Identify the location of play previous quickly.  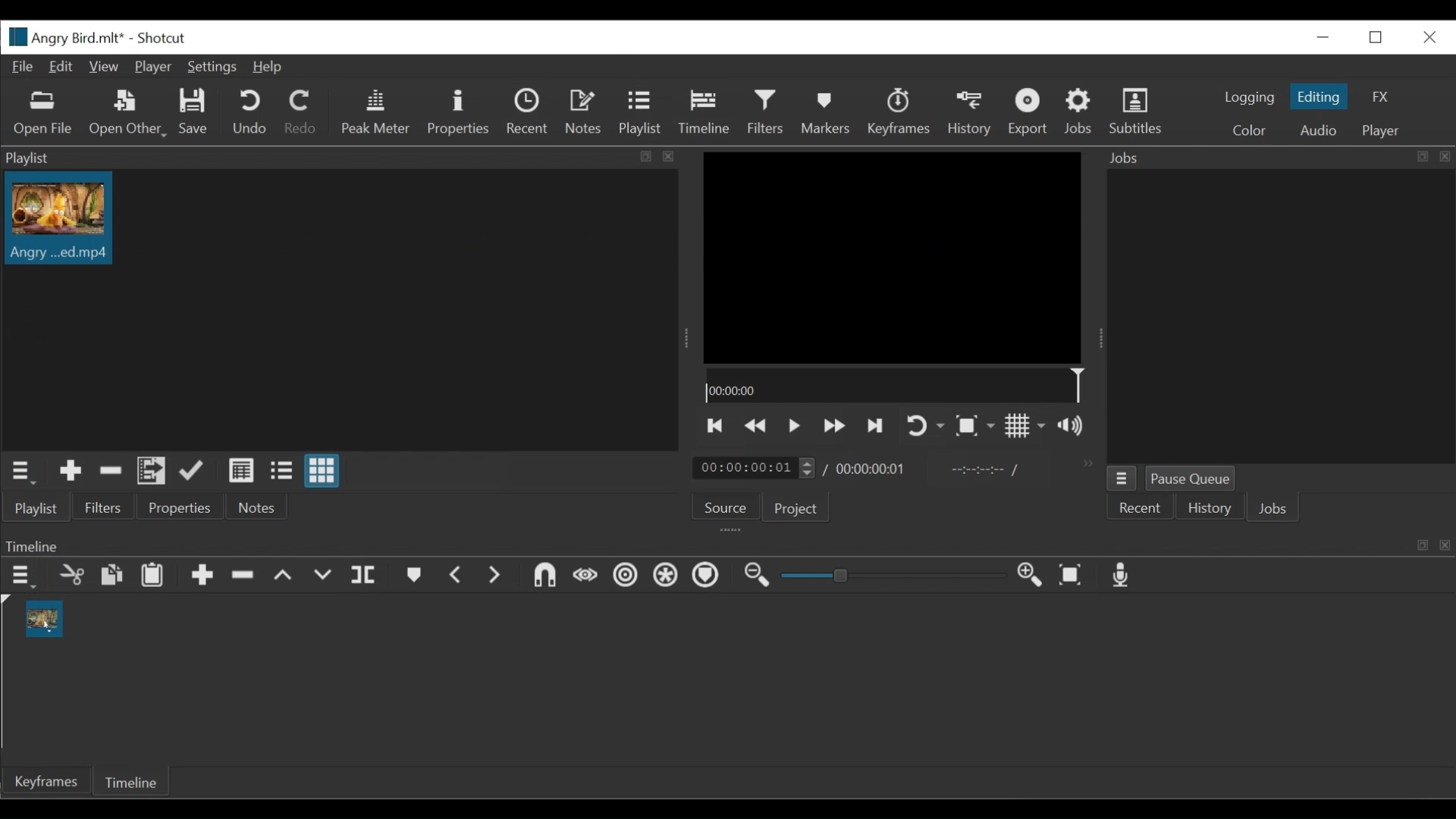
(759, 422).